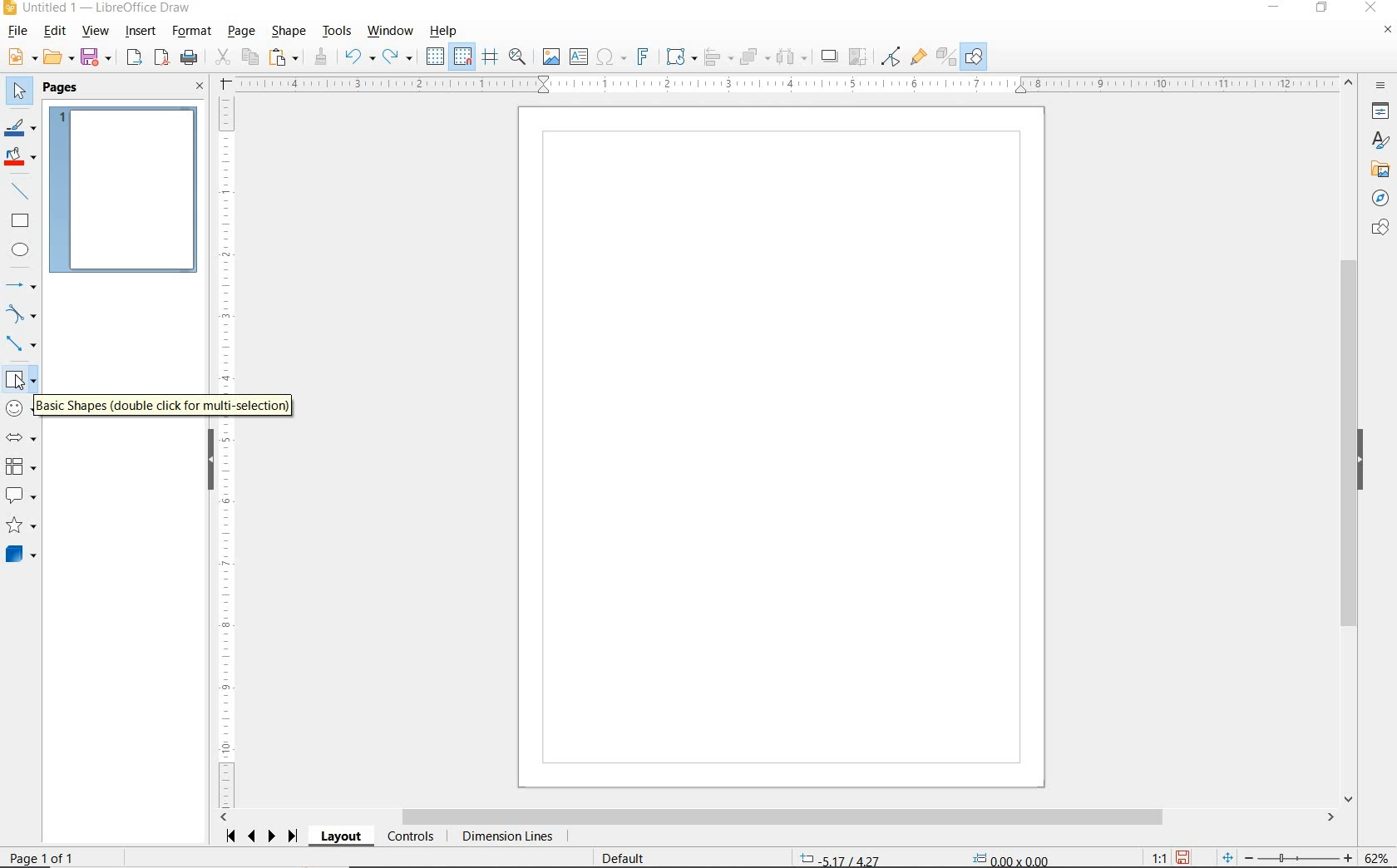  What do you see at coordinates (227, 452) in the screenshot?
I see `RULER` at bounding box center [227, 452].